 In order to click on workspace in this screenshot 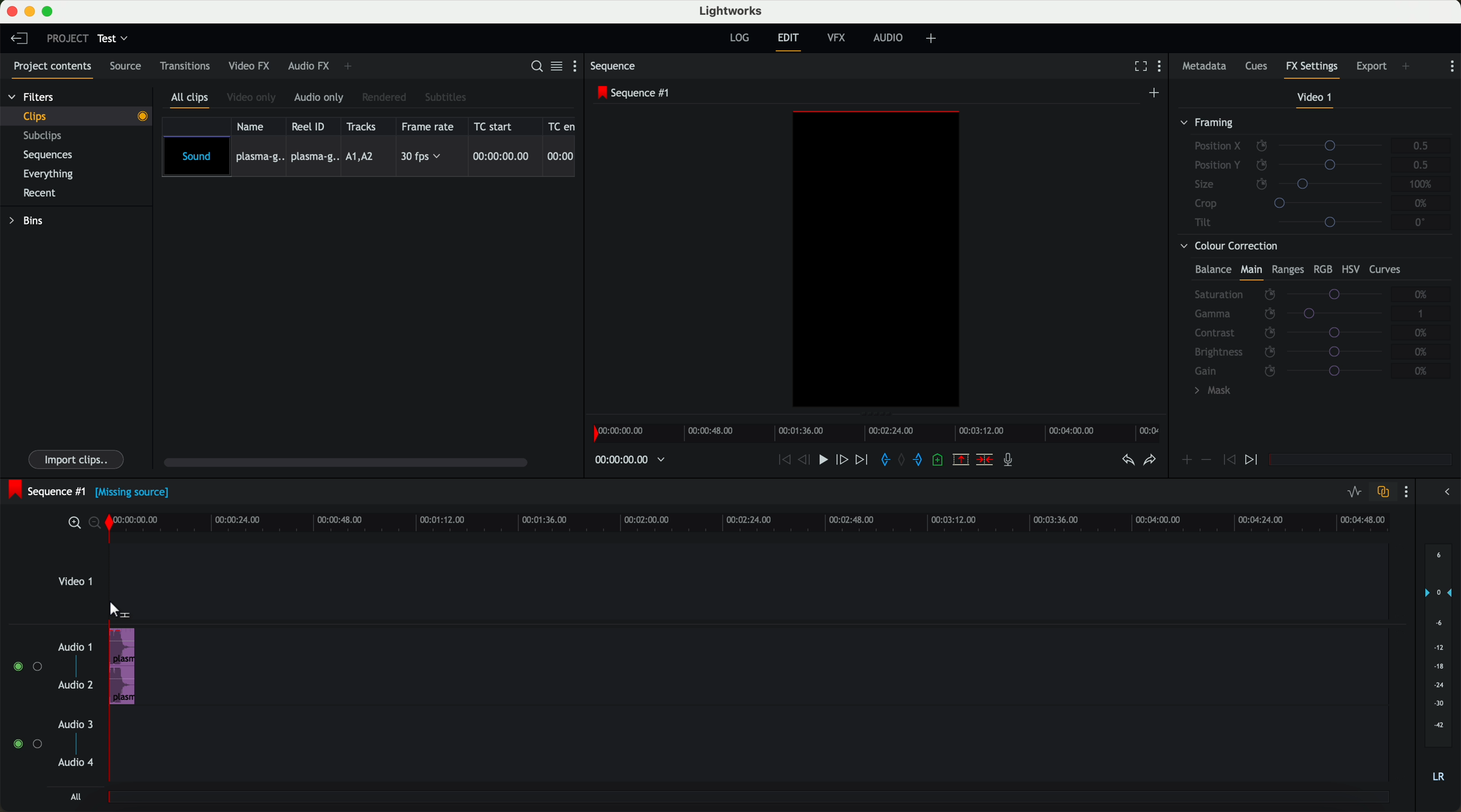, I will do `click(876, 261)`.